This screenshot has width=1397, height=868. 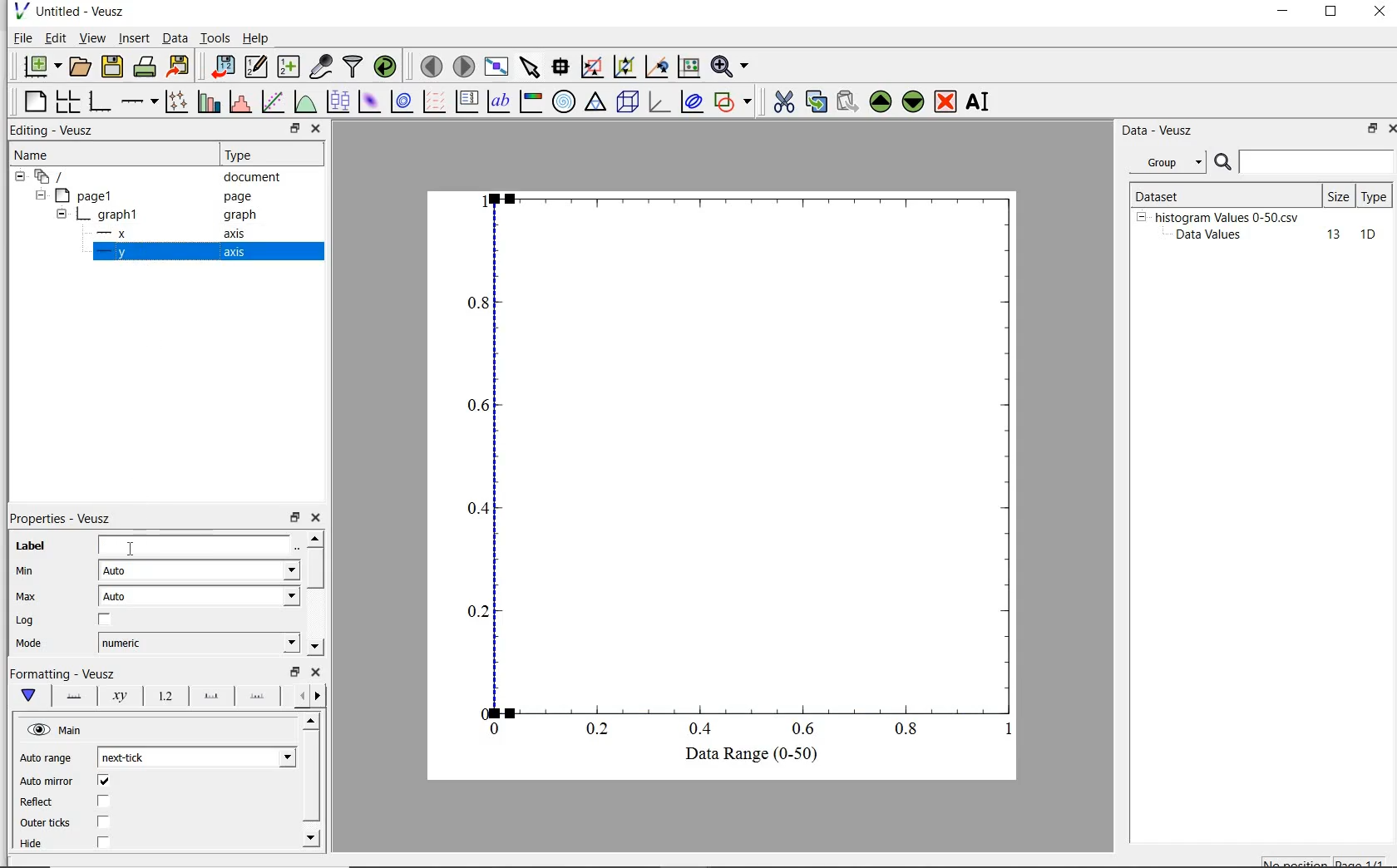 I want to click on close, so click(x=317, y=129).